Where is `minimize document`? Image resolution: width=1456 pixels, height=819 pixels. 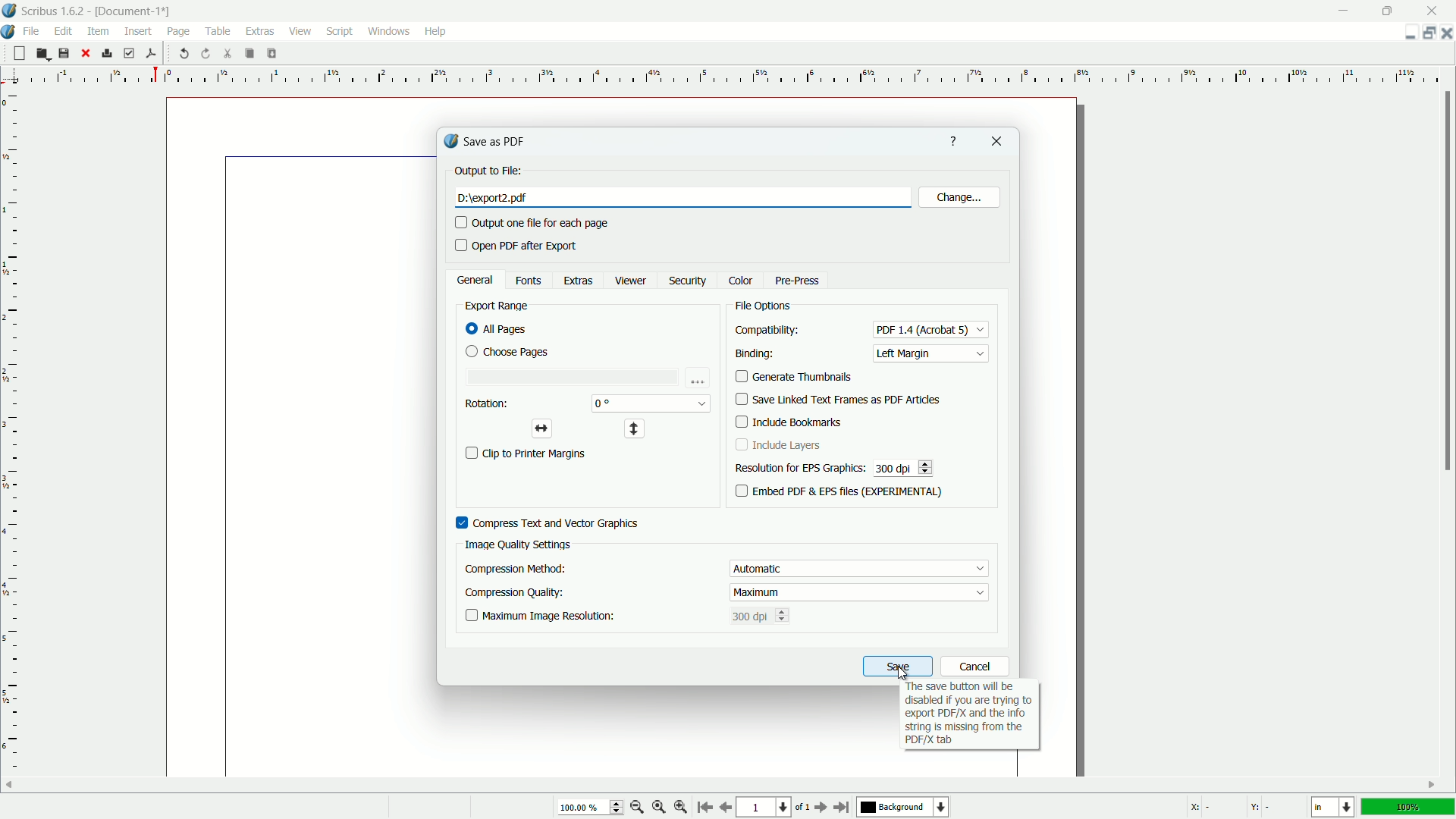
minimize document is located at coordinates (1406, 35).